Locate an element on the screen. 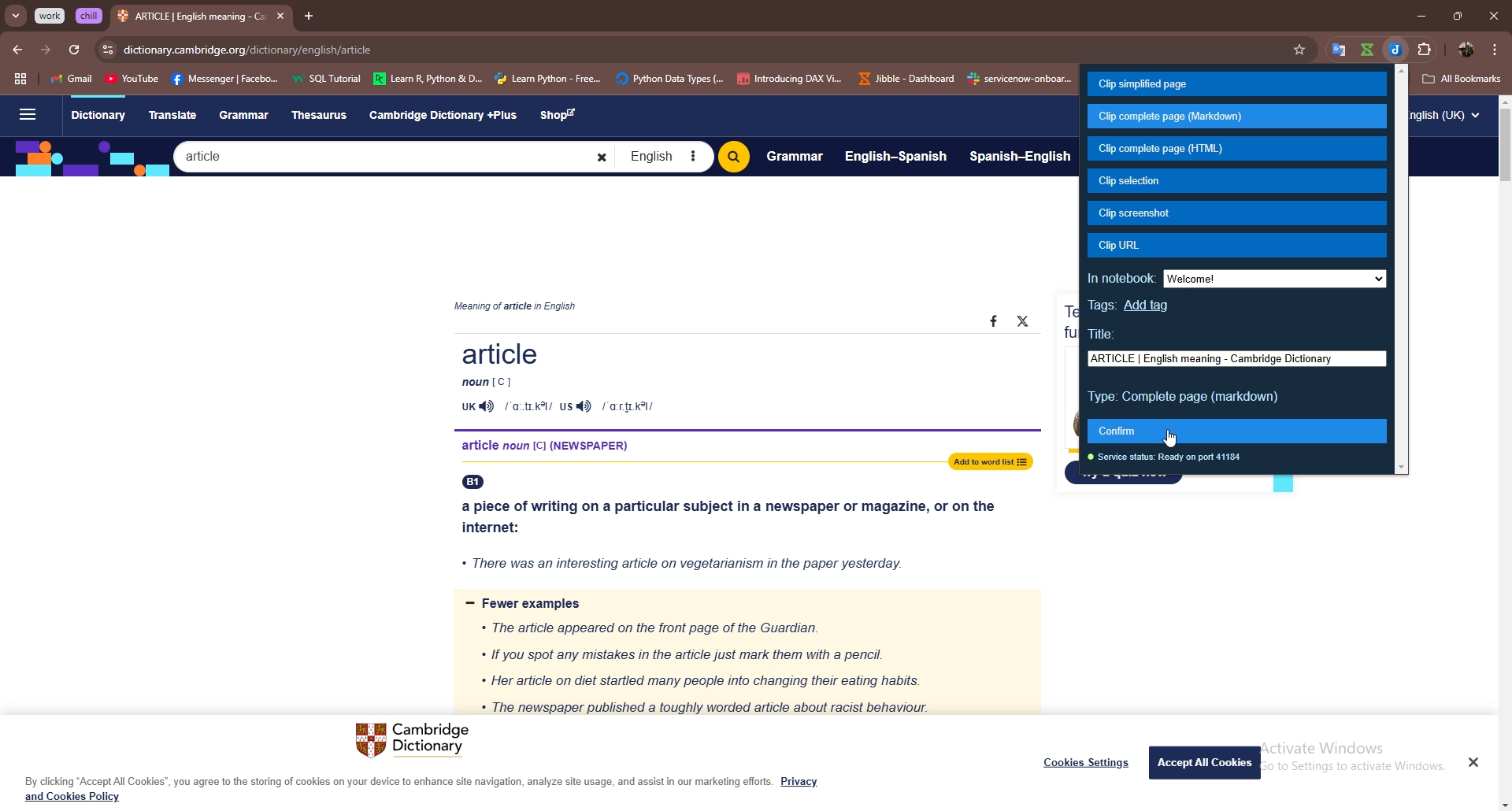 The width and height of the screenshot is (1512, 811). clip simplified page is located at coordinates (1236, 83).